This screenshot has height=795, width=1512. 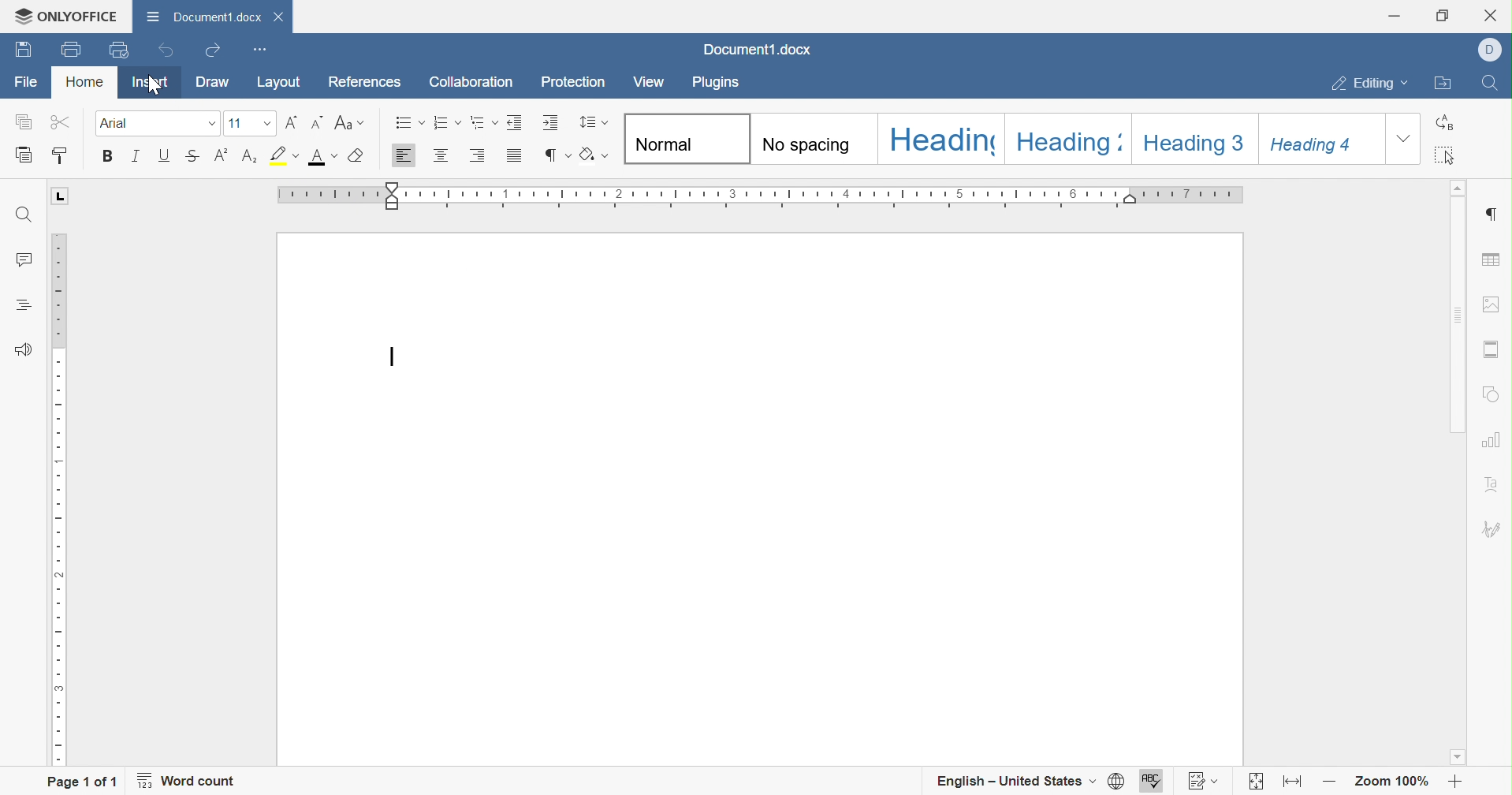 What do you see at coordinates (1324, 139) in the screenshot?
I see `Heading4` at bounding box center [1324, 139].